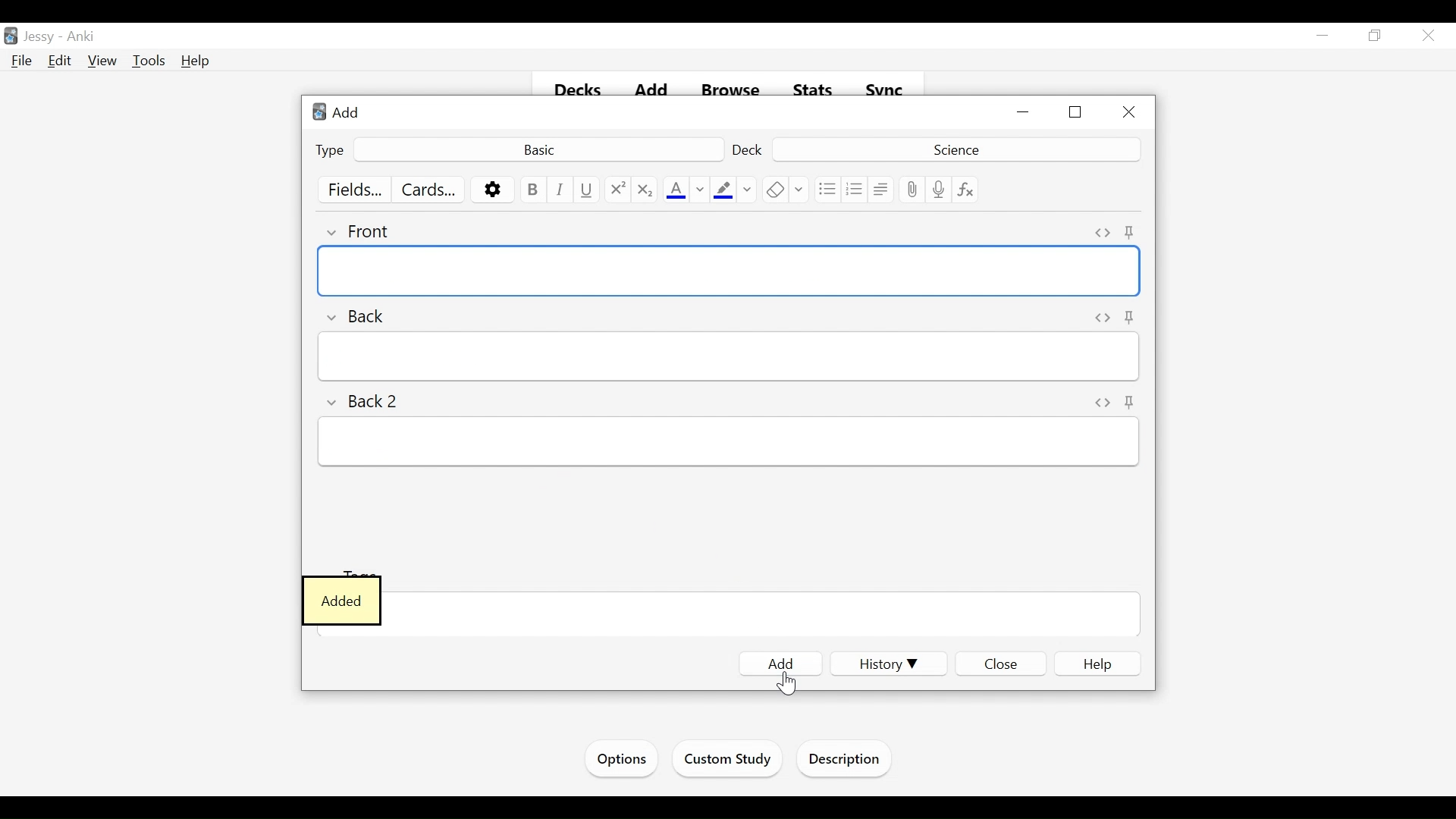  Describe the element at coordinates (1323, 36) in the screenshot. I see `minimize` at that location.